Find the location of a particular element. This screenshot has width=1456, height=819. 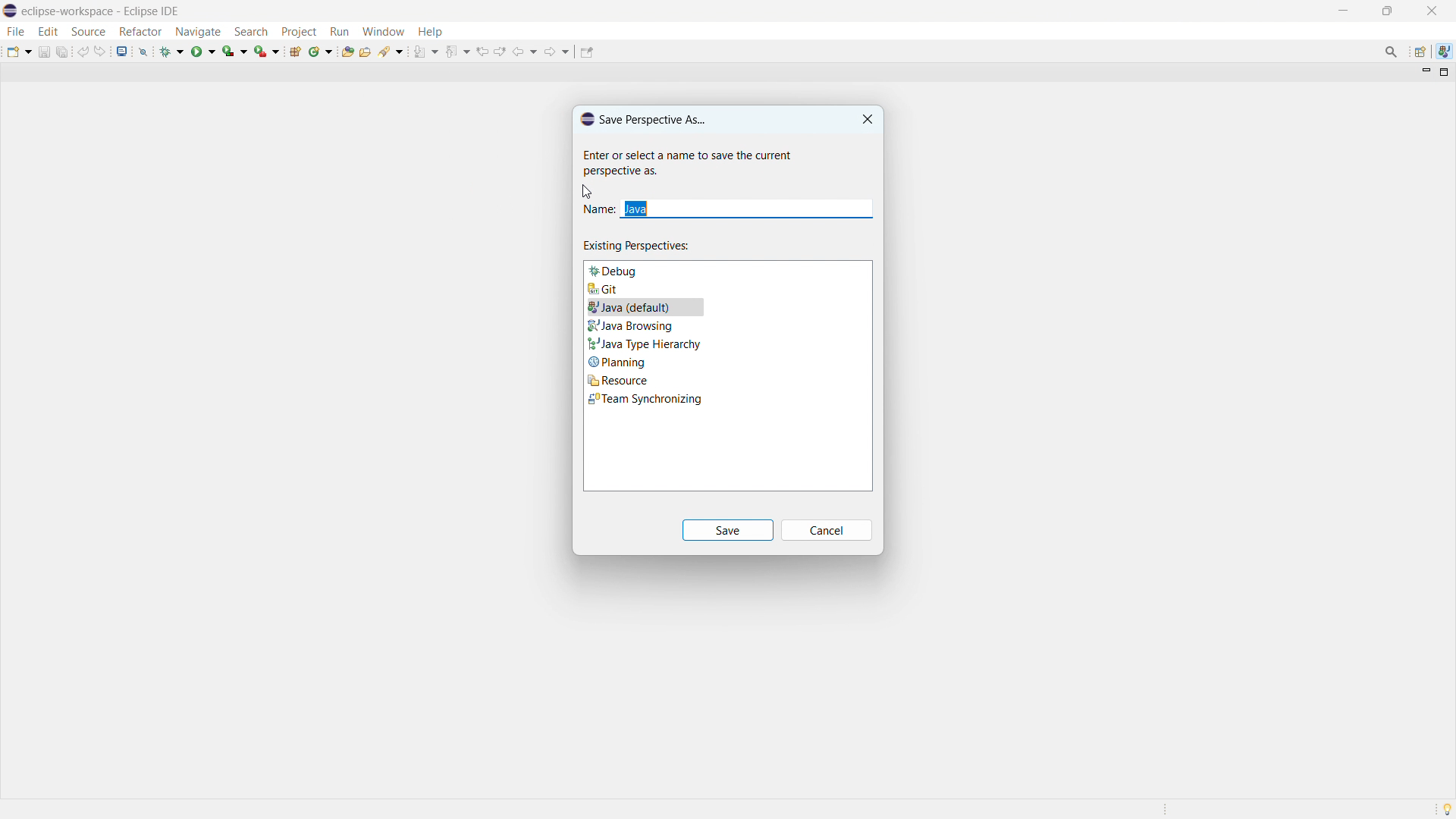

run is located at coordinates (203, 51).